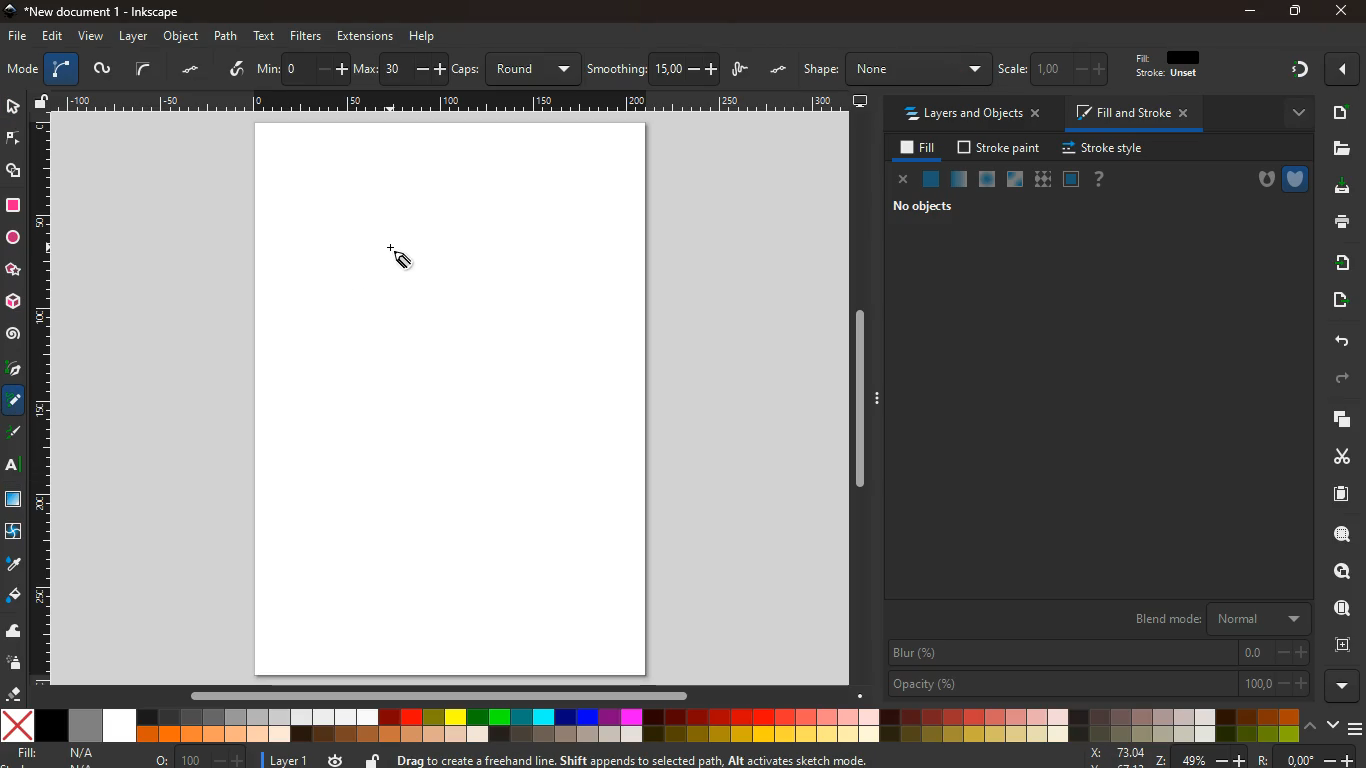 The width and height of the screenshot is (1366, 768). What do you see at coordinates (1100, 180) in the screenshot?
I see `help` at bounding box center [1100, 180].